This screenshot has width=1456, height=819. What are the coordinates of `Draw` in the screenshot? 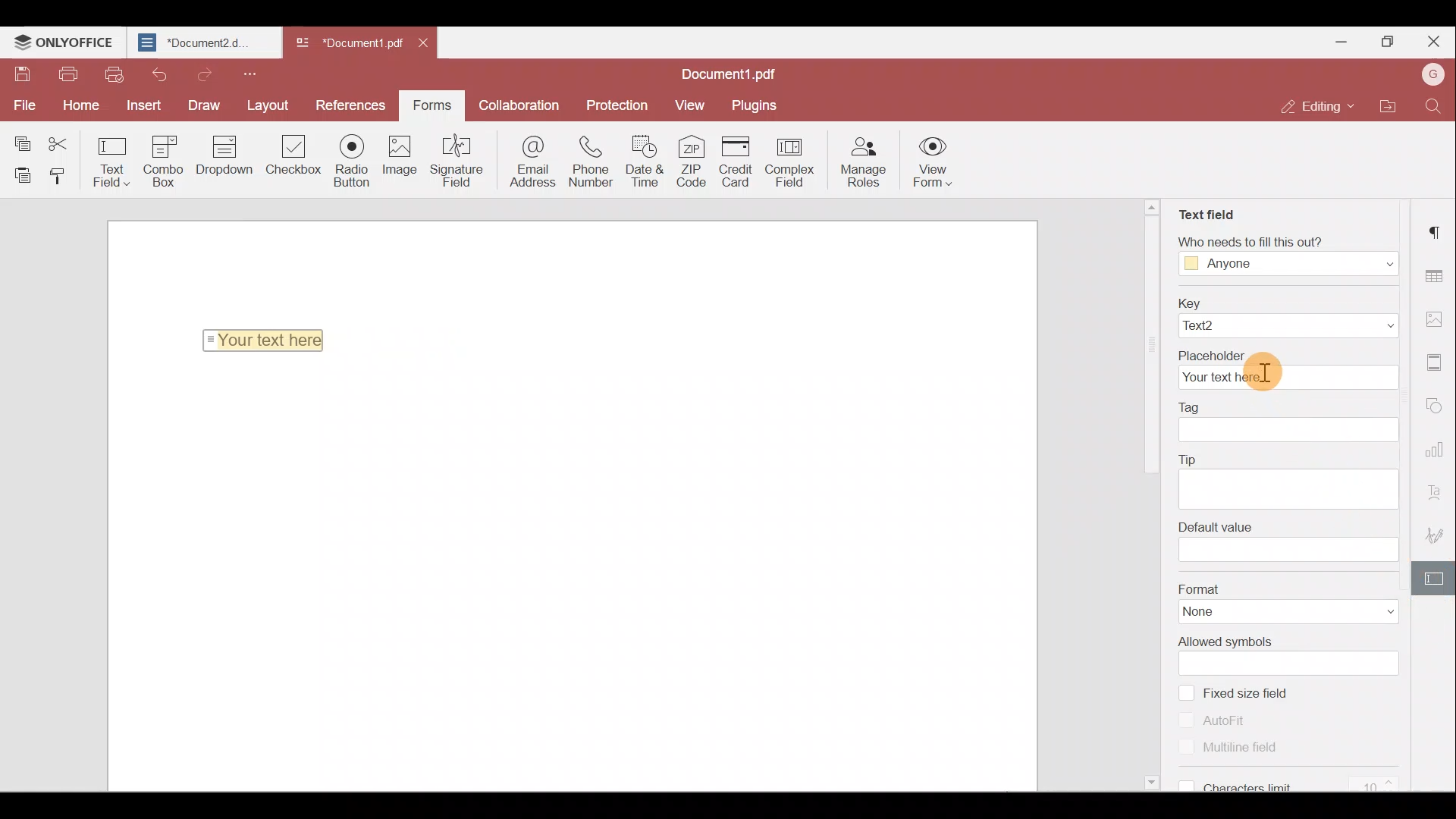 It's located at (199, 105).